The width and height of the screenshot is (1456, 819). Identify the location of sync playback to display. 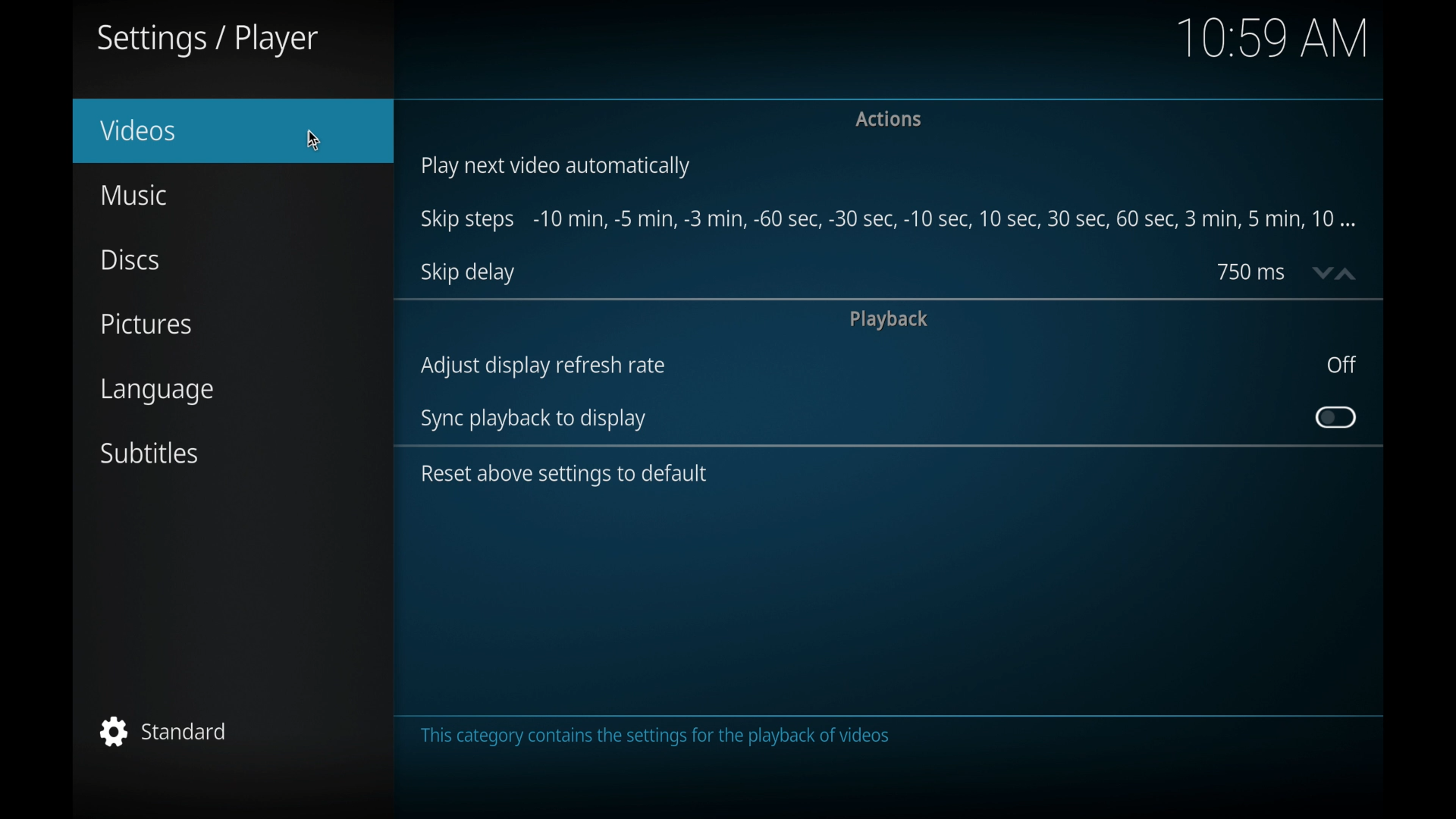
(534, 419).